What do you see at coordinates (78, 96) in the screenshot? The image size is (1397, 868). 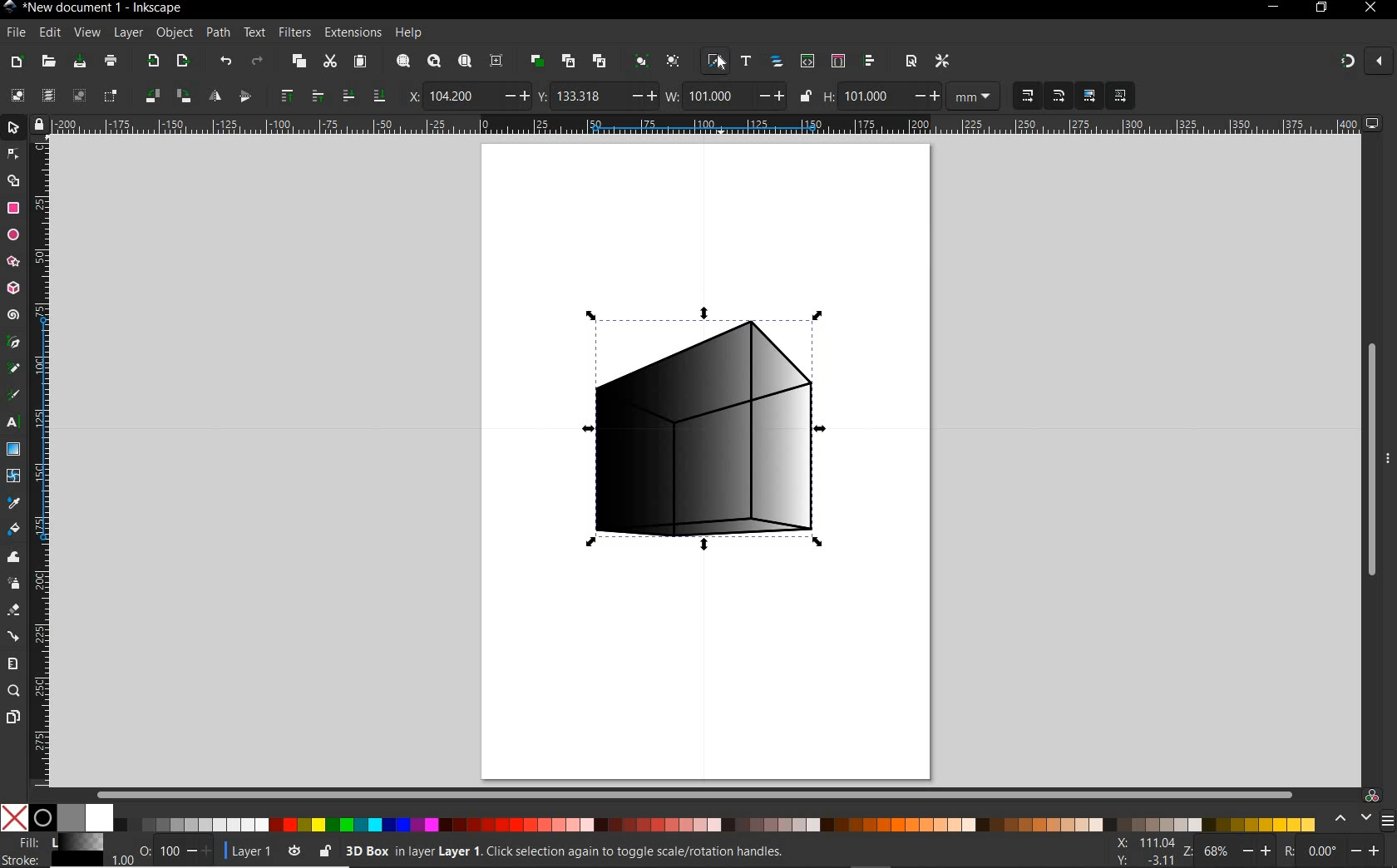 I see `DESELECT ANY SELECTED OBJECT` at bounding box center [78, 96].